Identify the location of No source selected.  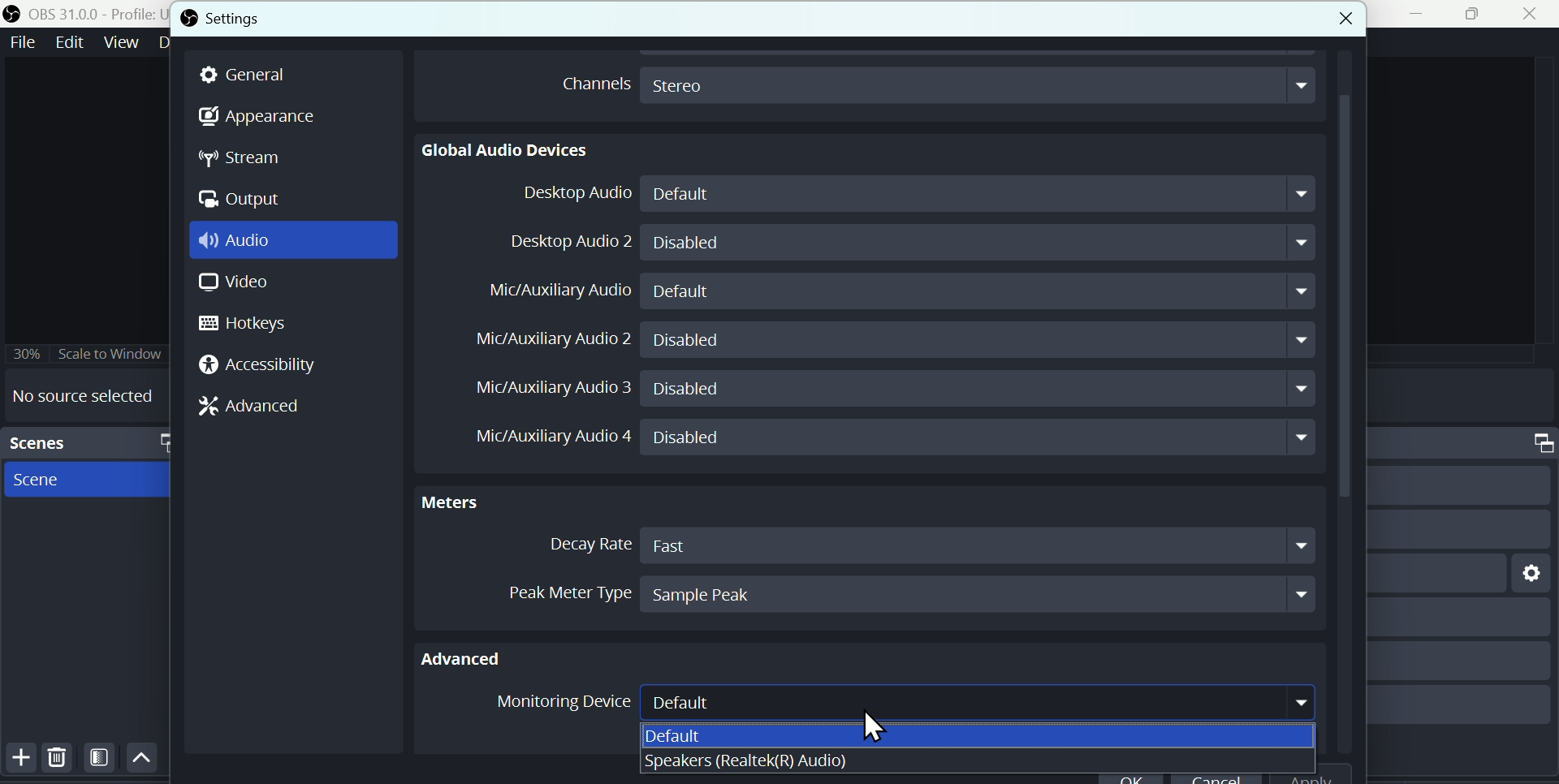
(83, 395).